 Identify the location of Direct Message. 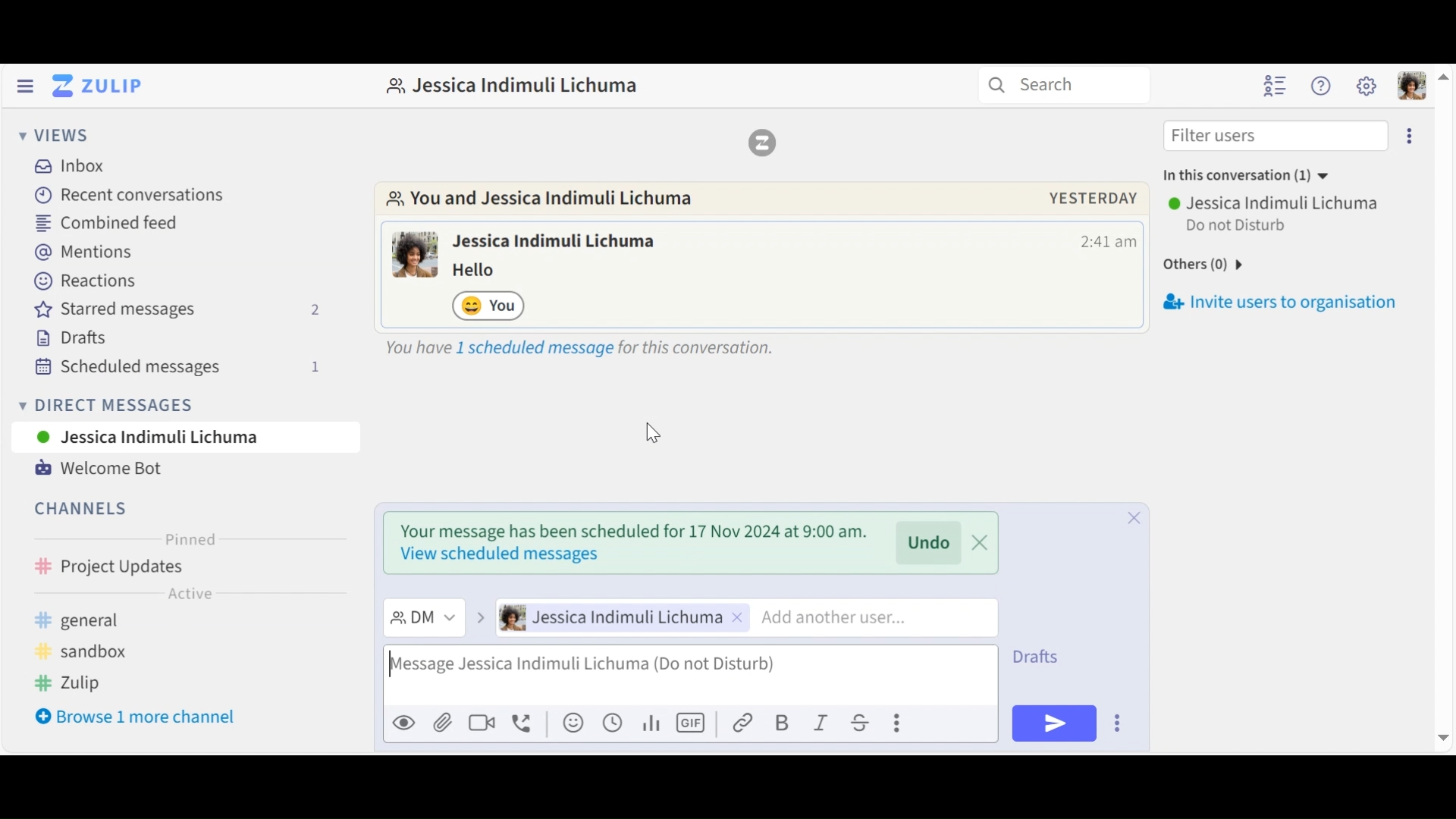
(422, 617).